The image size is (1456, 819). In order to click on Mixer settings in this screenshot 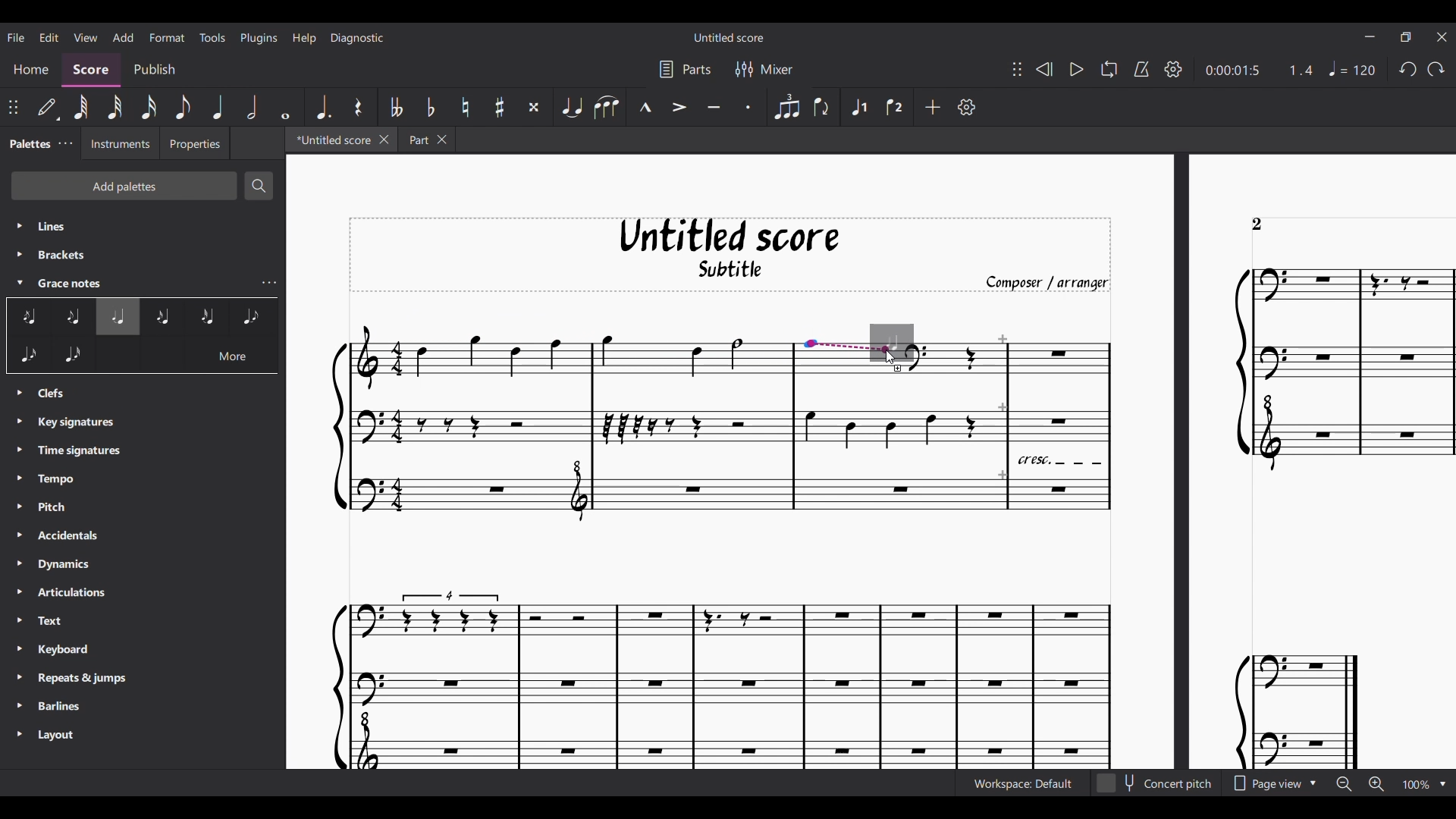, I will do `click(764, 69)`.